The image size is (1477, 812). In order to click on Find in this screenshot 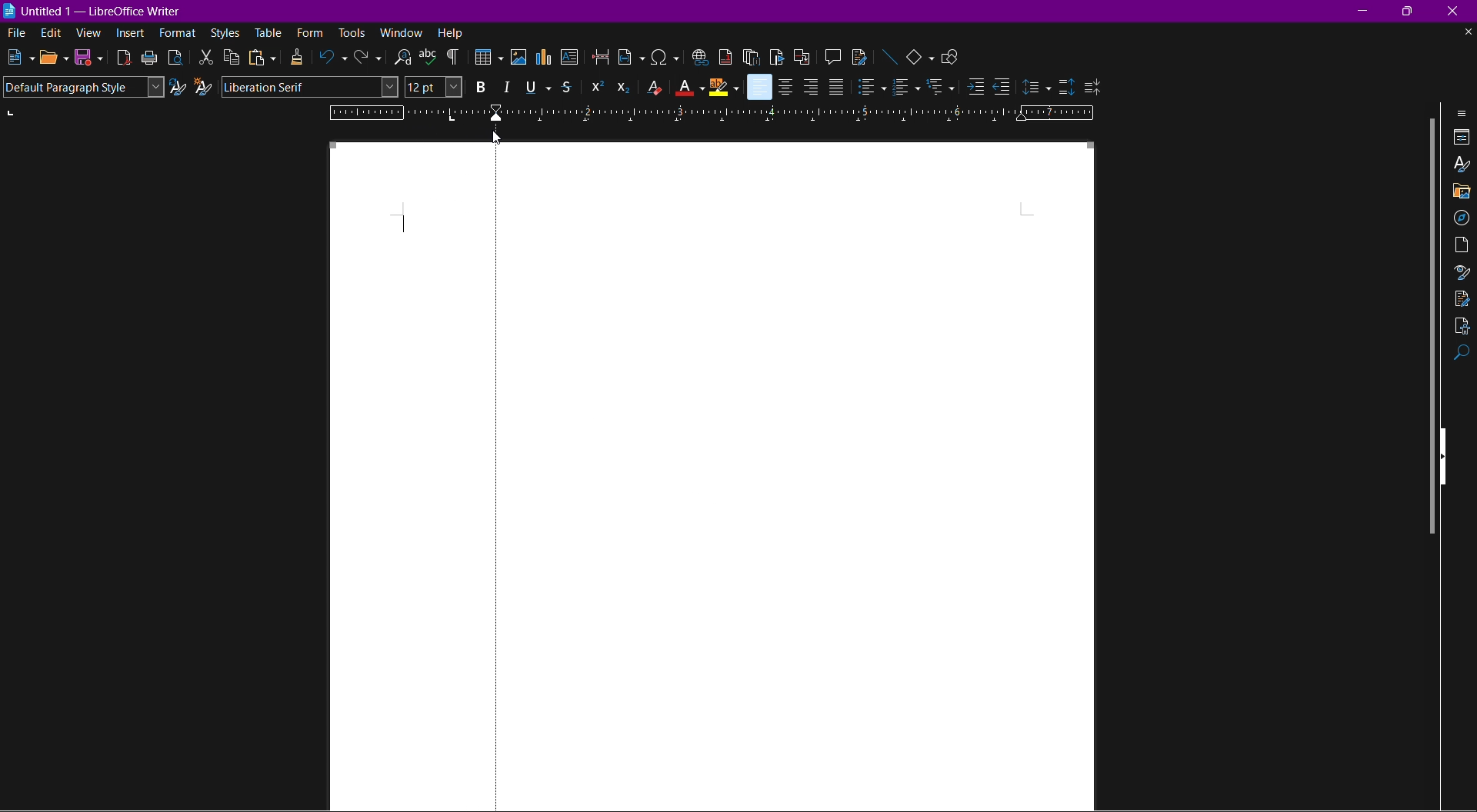, I will do `click(1462, 355)`.